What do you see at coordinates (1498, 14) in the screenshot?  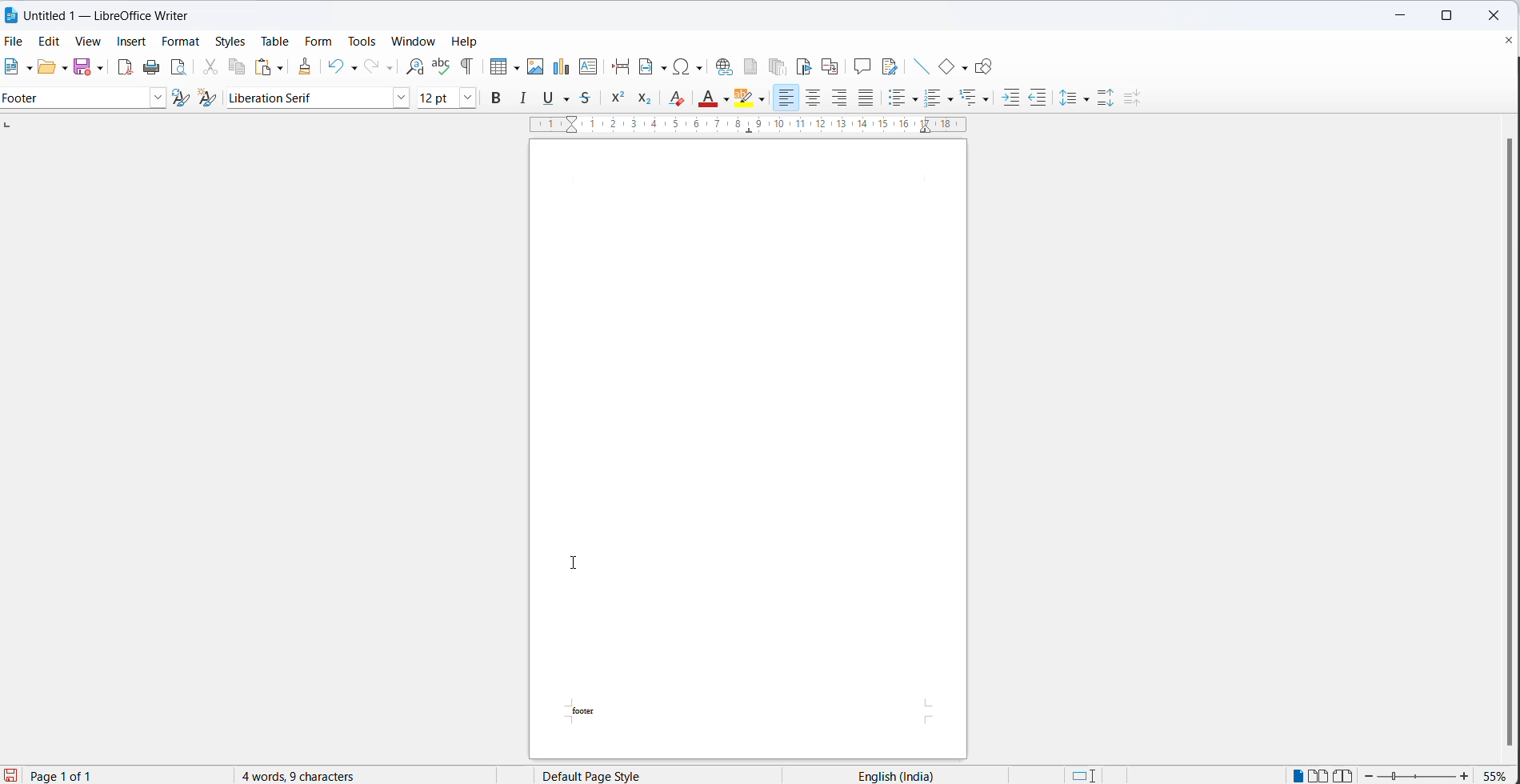 I see `close` at bounding box center [1498, 14].